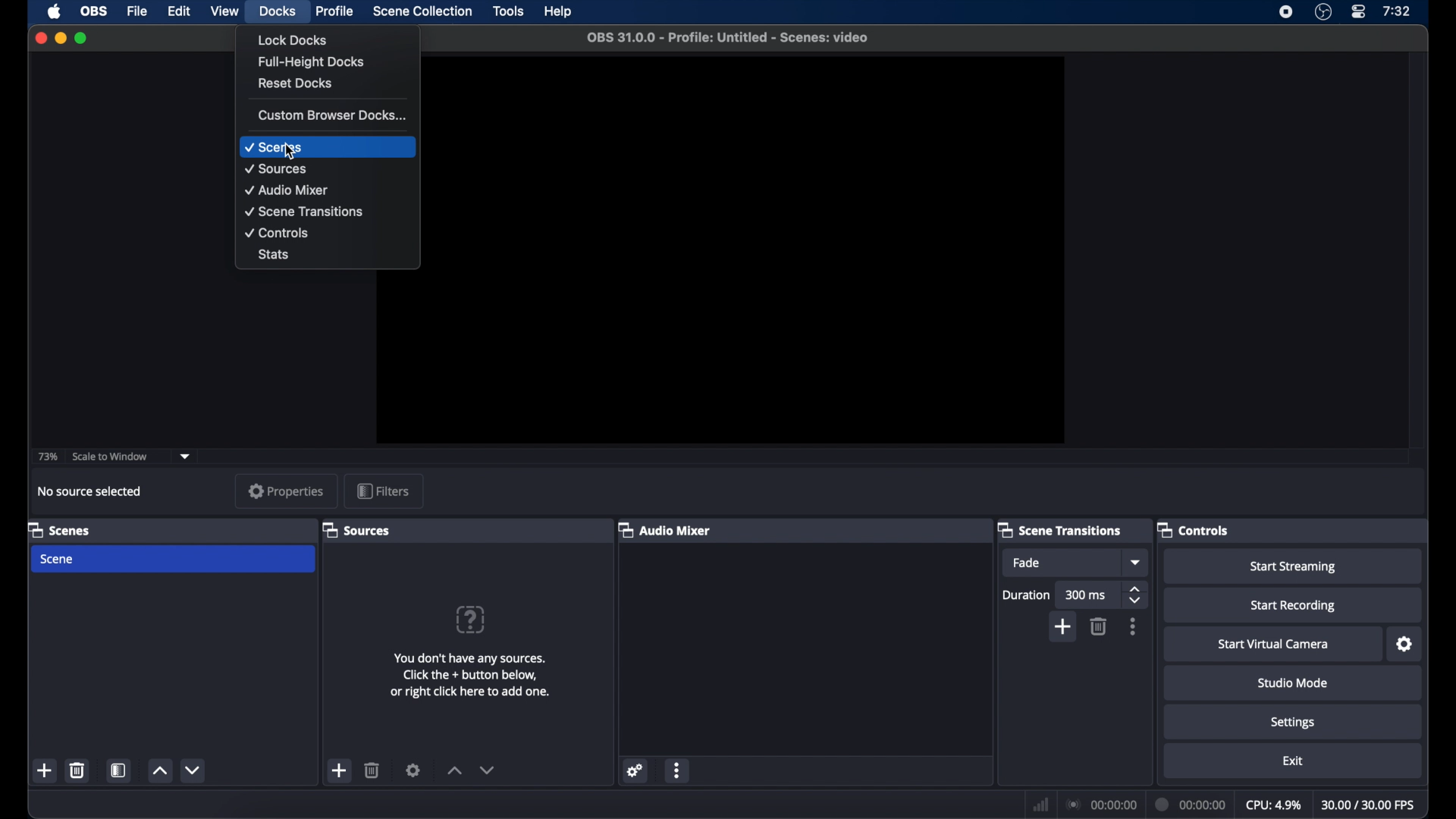  I want to click on Scene transition dropdown , so click(1137, 562).